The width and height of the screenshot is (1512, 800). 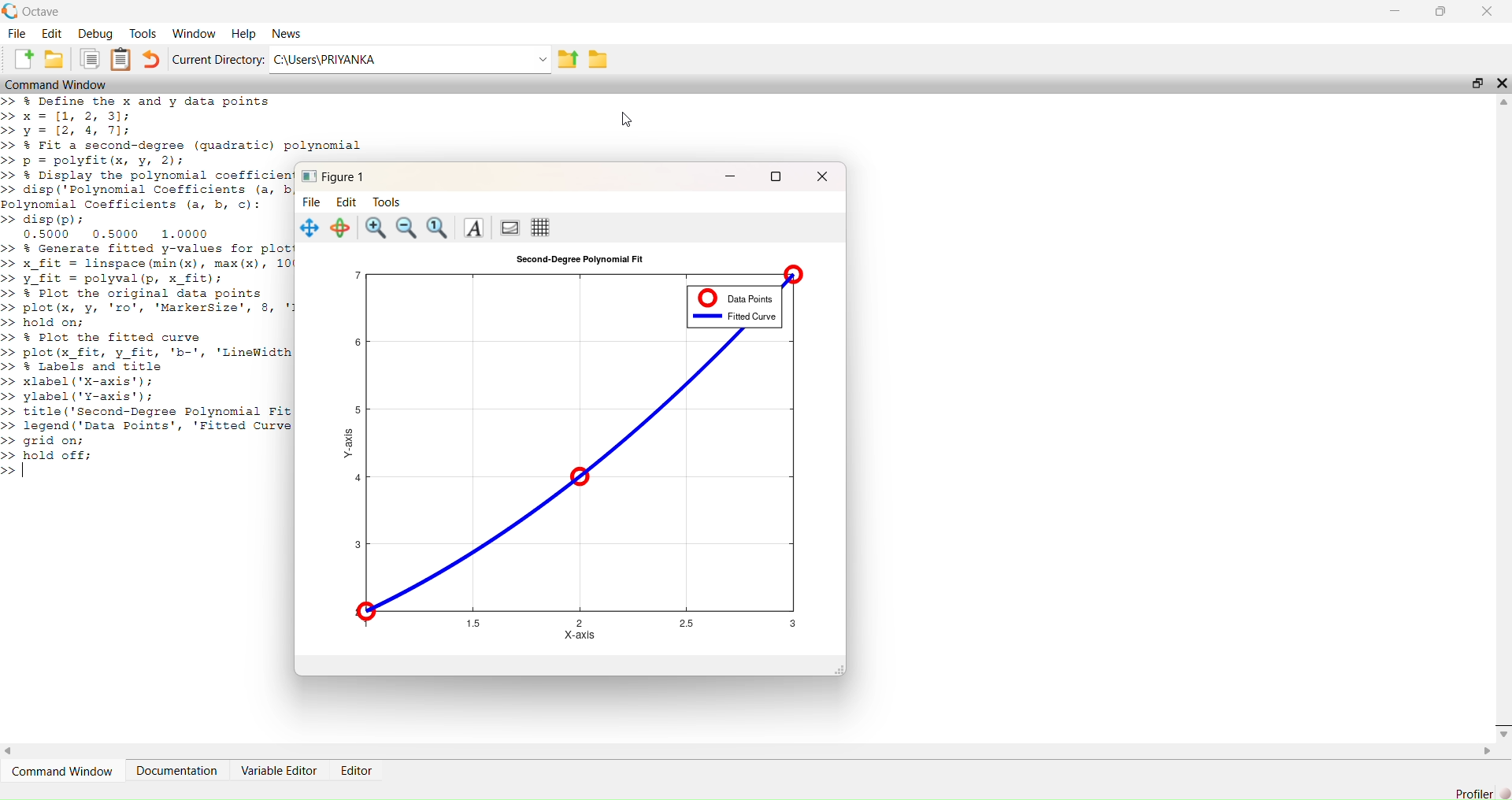 What do you see at coordinates (543, 59) in the screenshot?
I see `Dropdown` at bounding box center [543, 59].